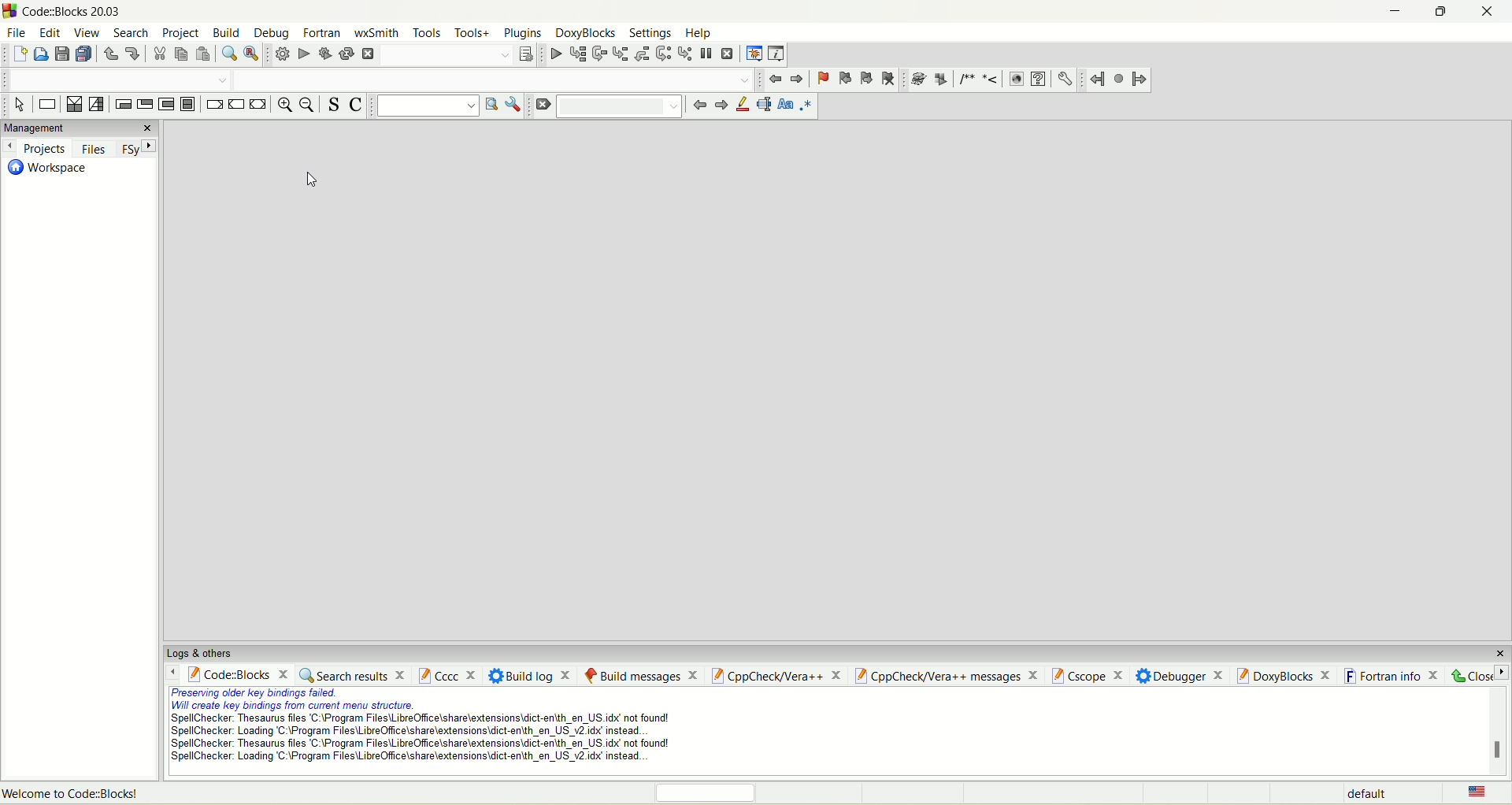 The width and height of the screenshot is (1512, 805). I want to click on settings, so click(652, 35).